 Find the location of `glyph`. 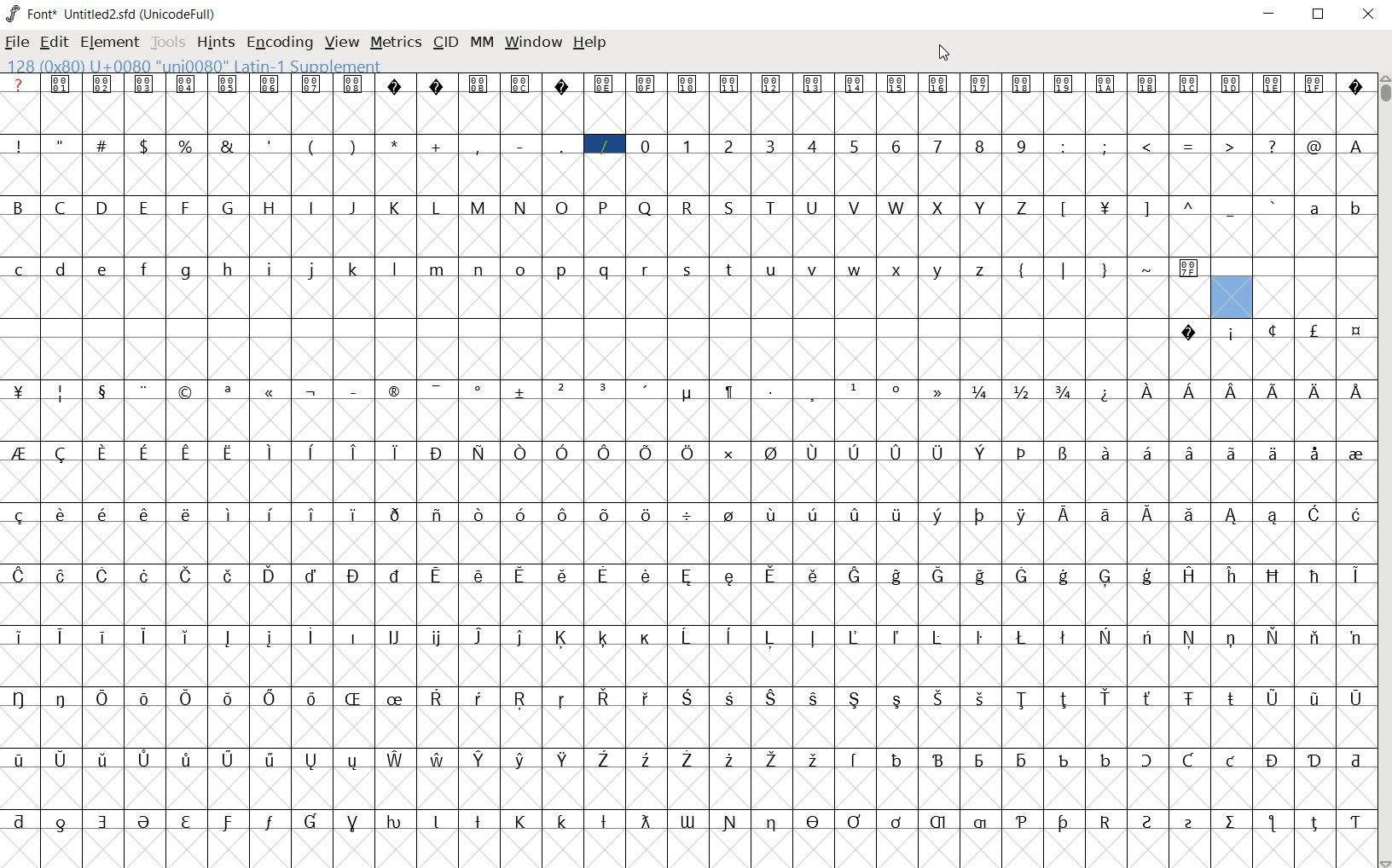

glyph is located at coordinates (355, 269).